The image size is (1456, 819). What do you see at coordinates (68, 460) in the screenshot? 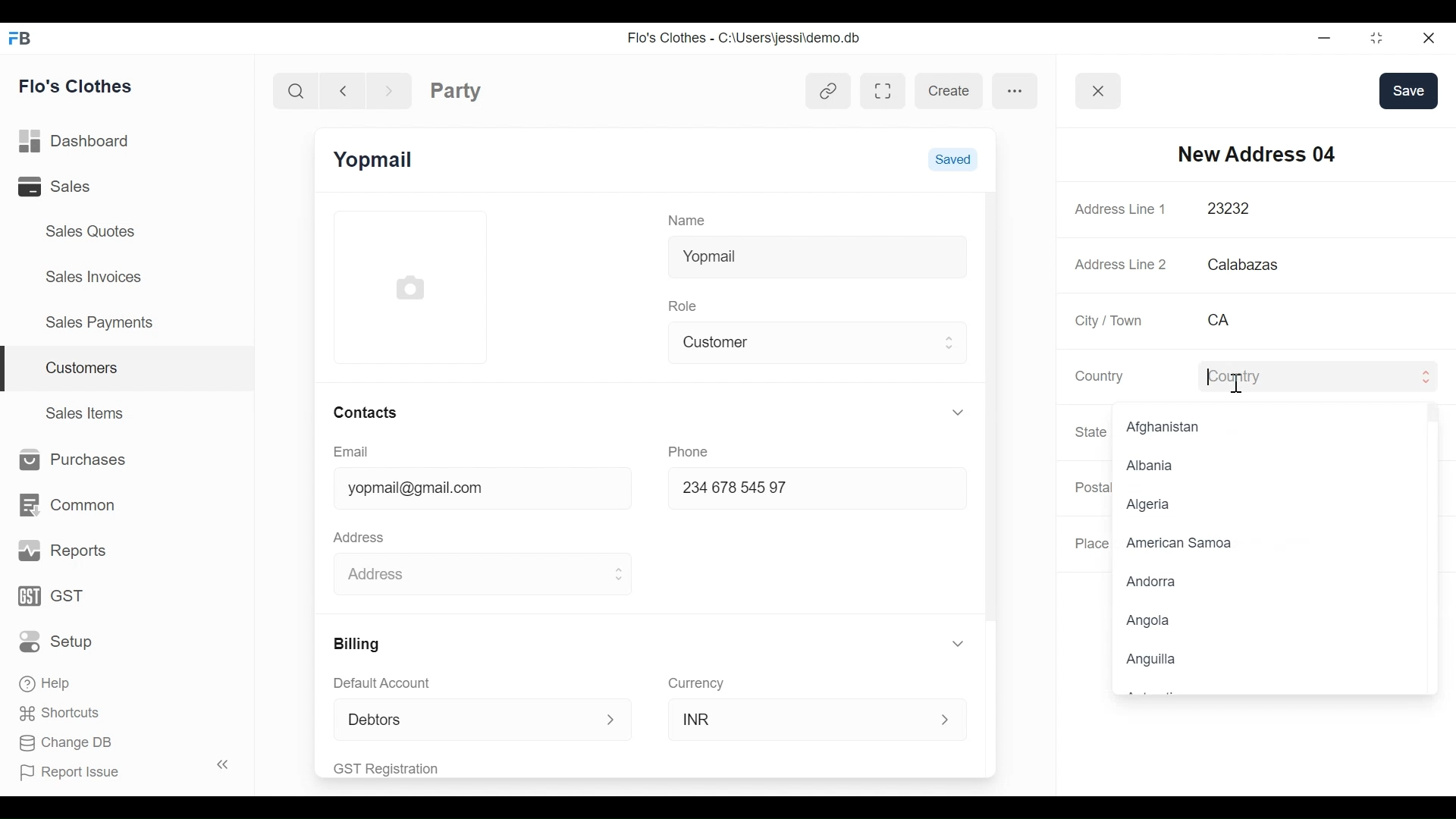
I see `Purchases` at bounding box center [68, 460].